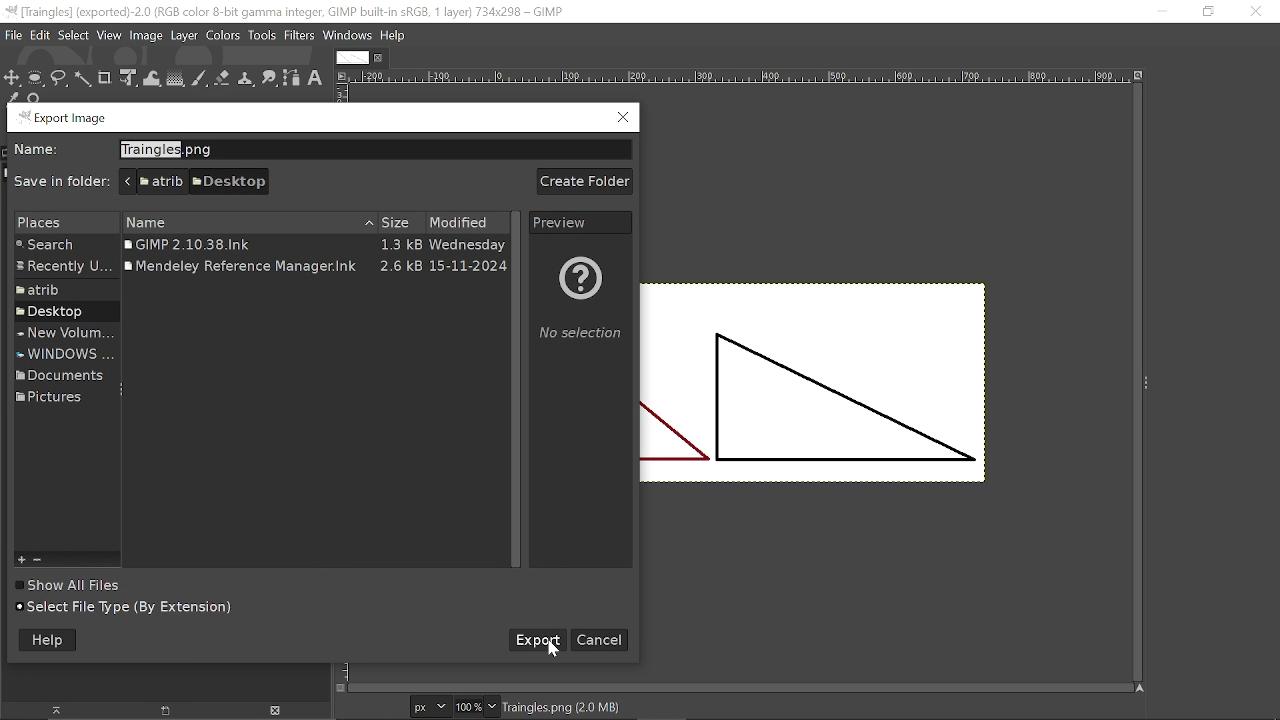 This screenshot has height=720, width=1280. I want to click on Unified transform tool, so click(127, 78).